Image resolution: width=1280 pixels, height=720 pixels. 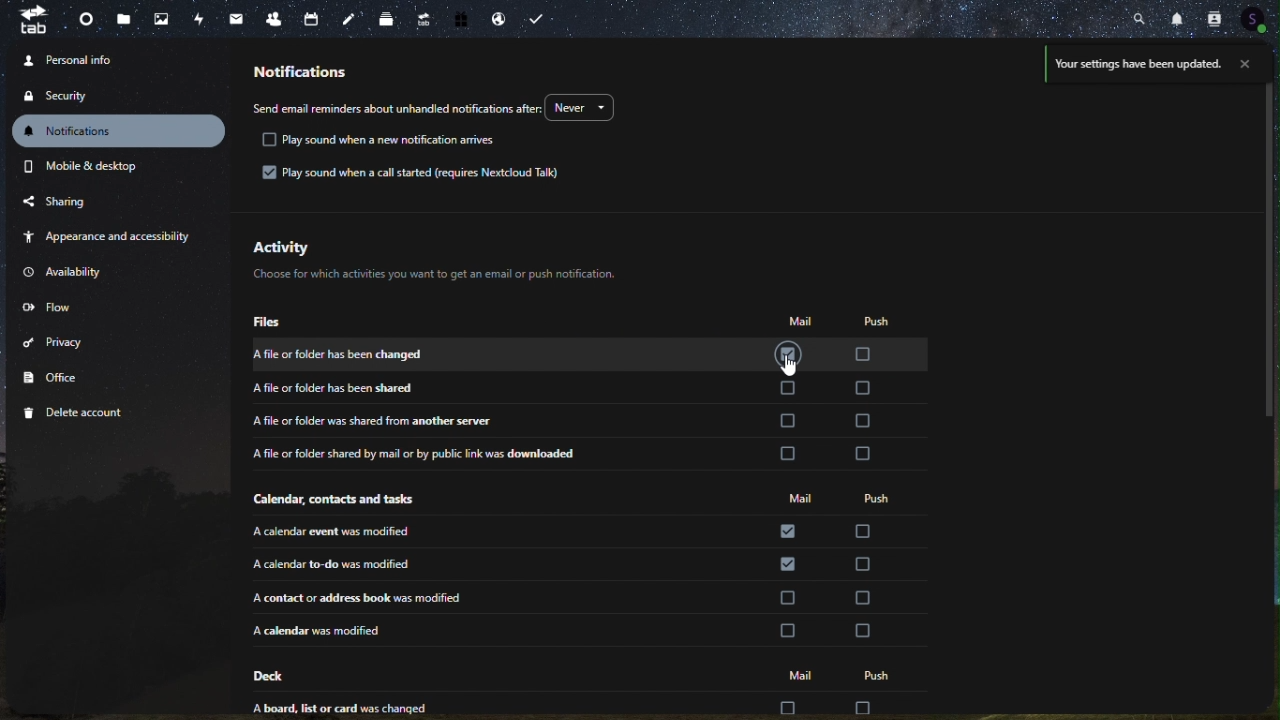 I want to click on Play sound when a new notification arrives, so click(x=394, y=140).